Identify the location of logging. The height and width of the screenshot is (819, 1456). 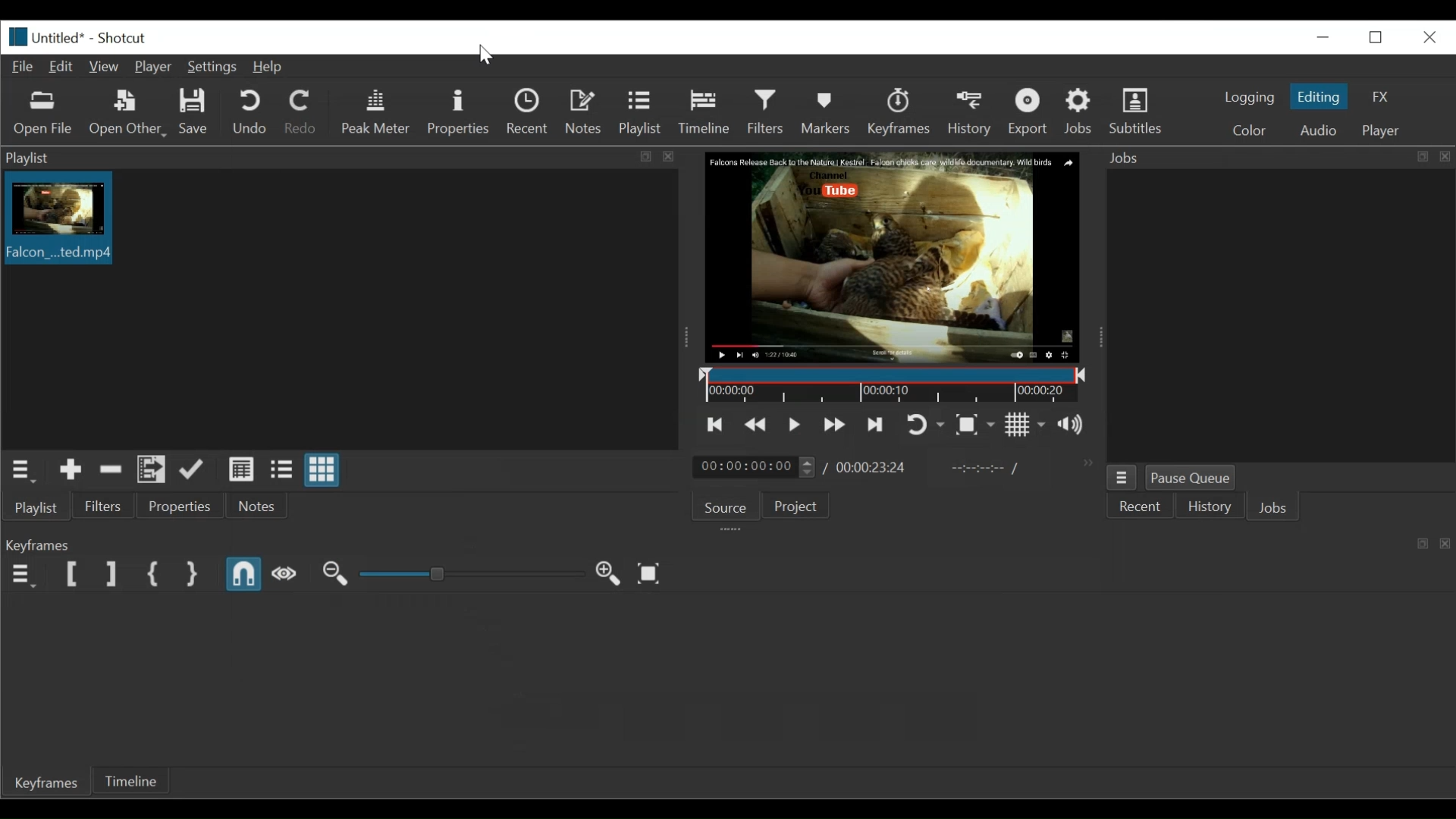
(1247, 99).